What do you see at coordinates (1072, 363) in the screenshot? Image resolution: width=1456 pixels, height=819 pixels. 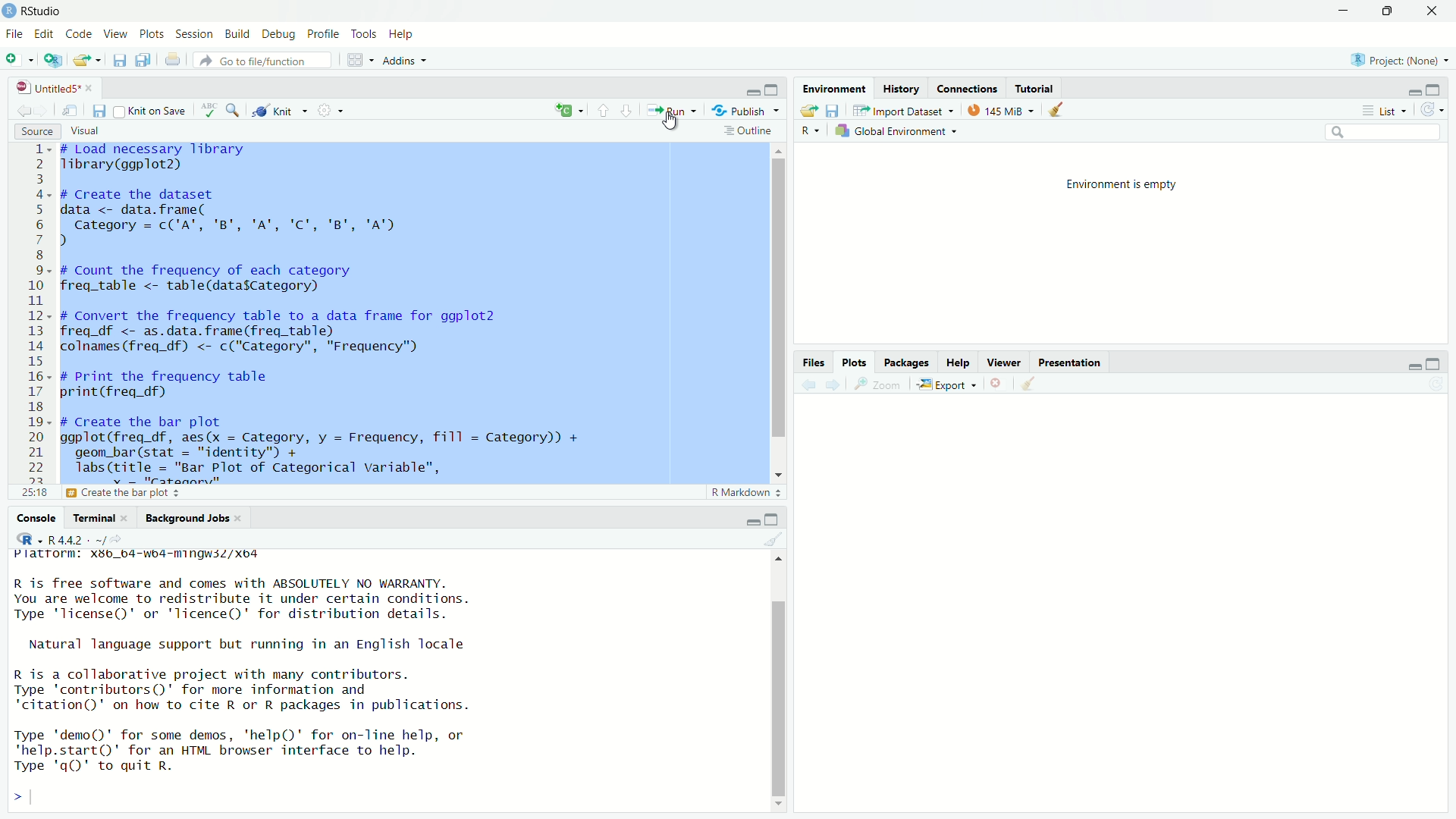 I see `presentation` at bounding box center [1072, 363].